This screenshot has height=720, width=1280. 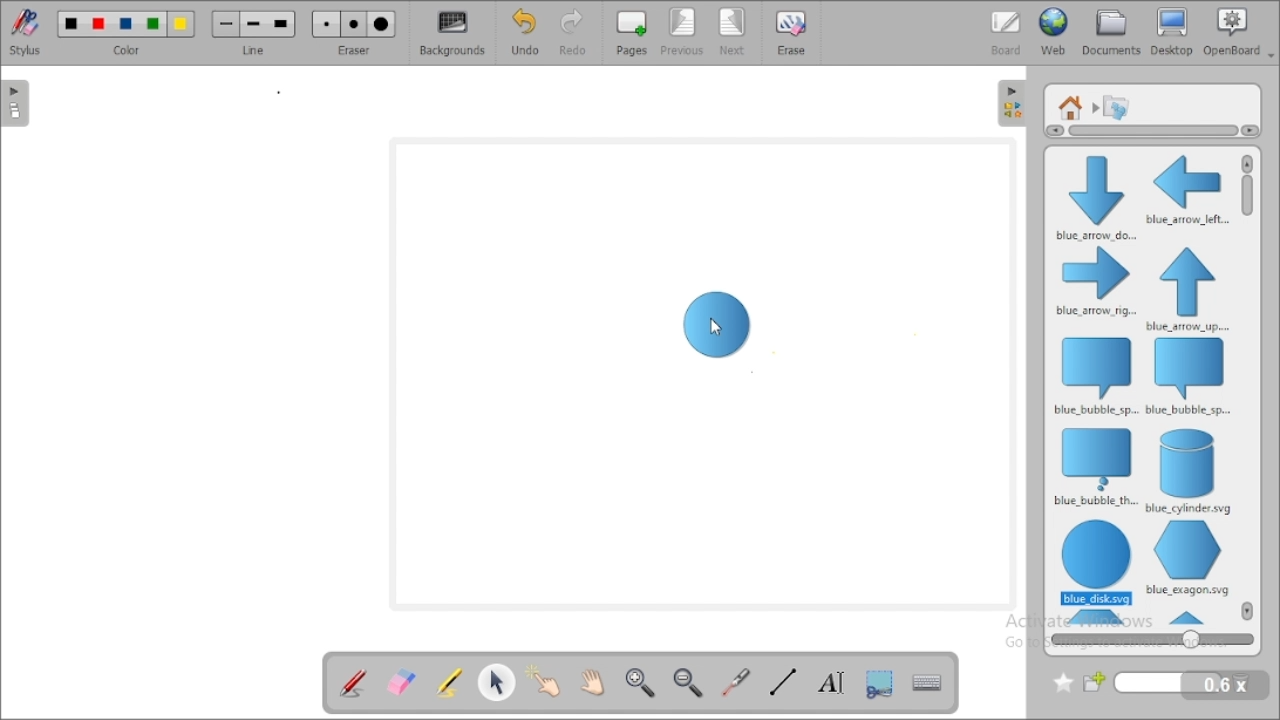 I want to click on color, so click(x=126, y=32).